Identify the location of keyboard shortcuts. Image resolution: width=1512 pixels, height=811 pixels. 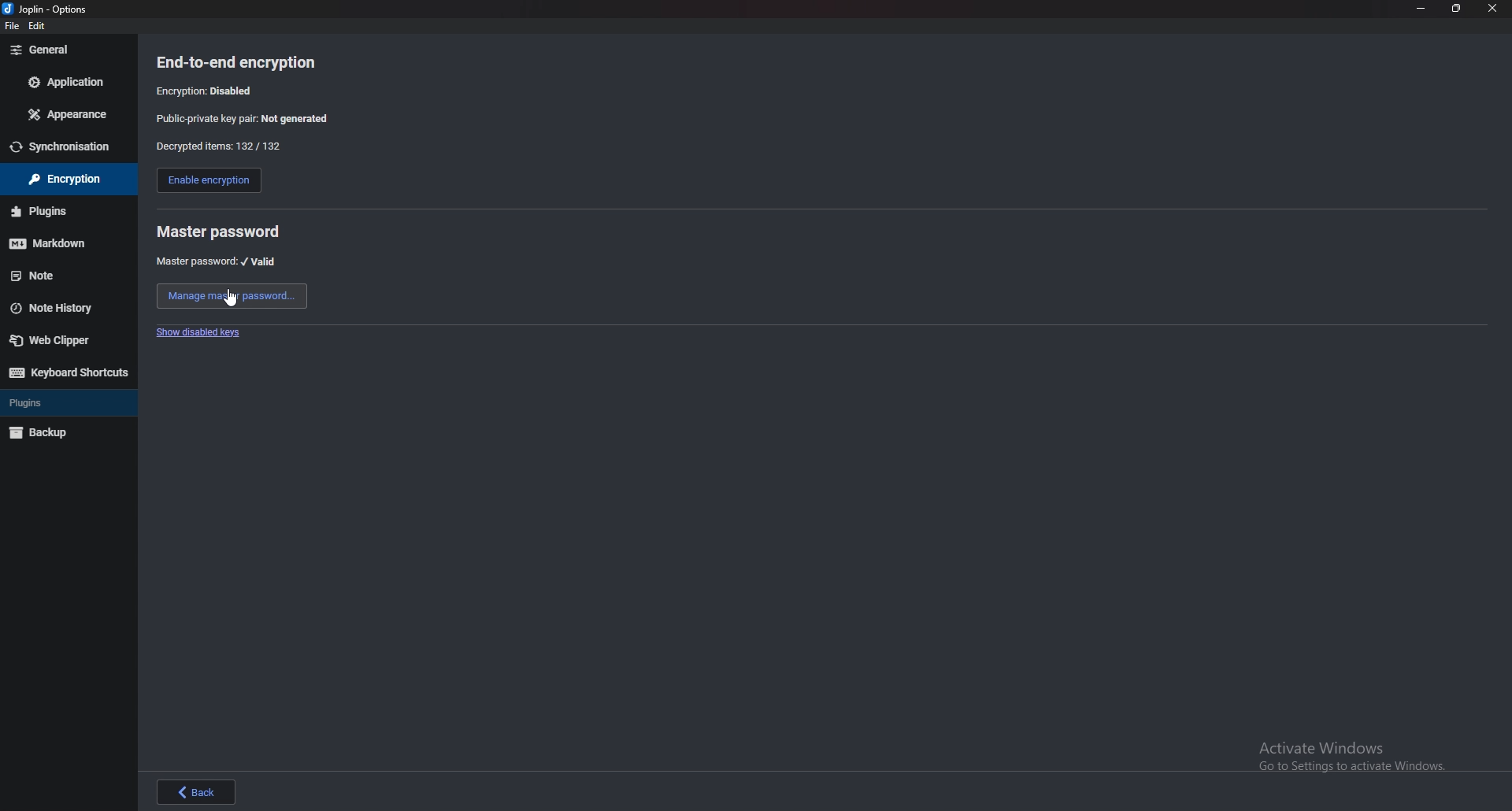
(67, 372).